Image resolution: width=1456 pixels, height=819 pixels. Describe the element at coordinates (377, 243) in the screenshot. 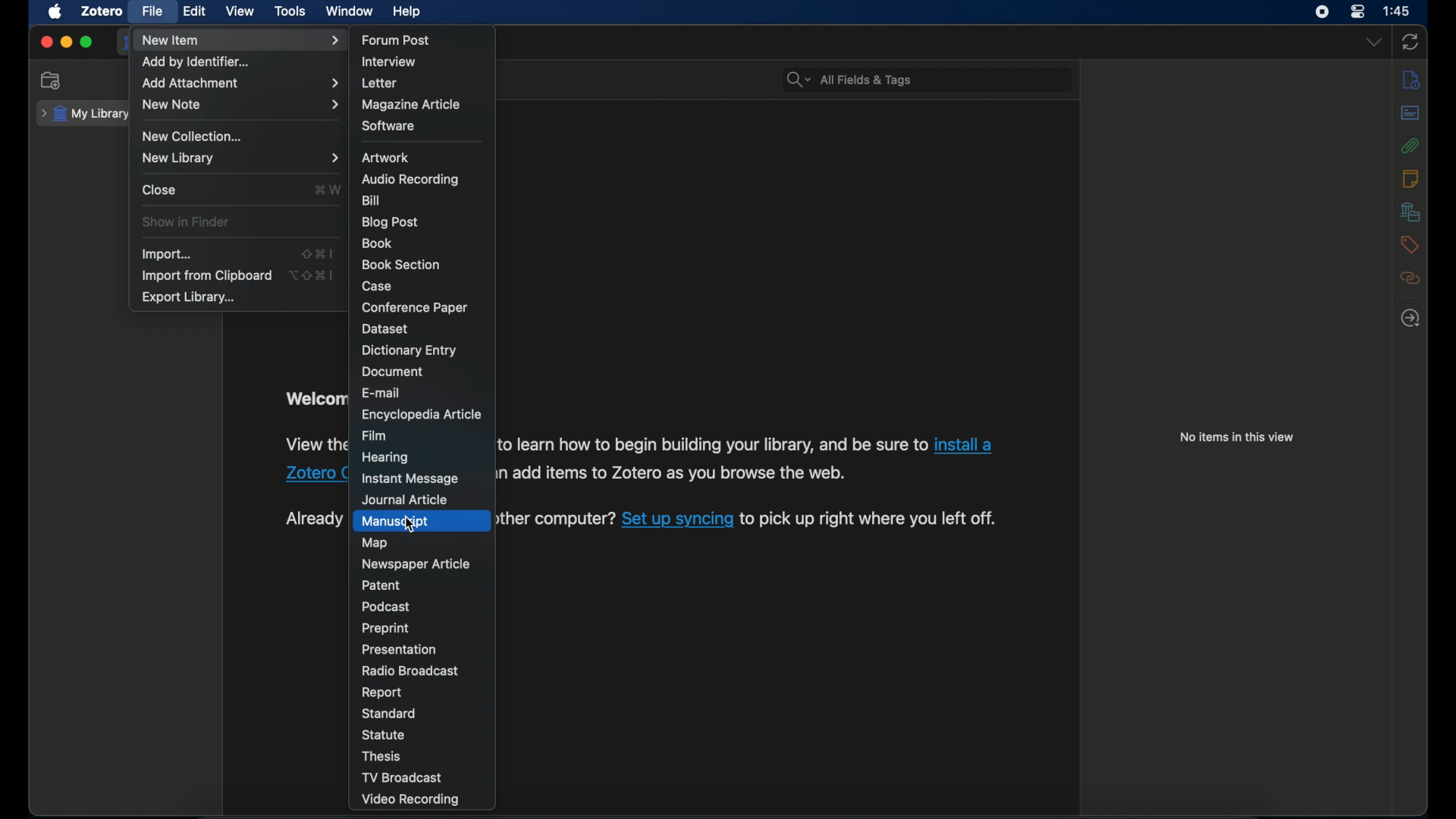

I see `book` at that location.